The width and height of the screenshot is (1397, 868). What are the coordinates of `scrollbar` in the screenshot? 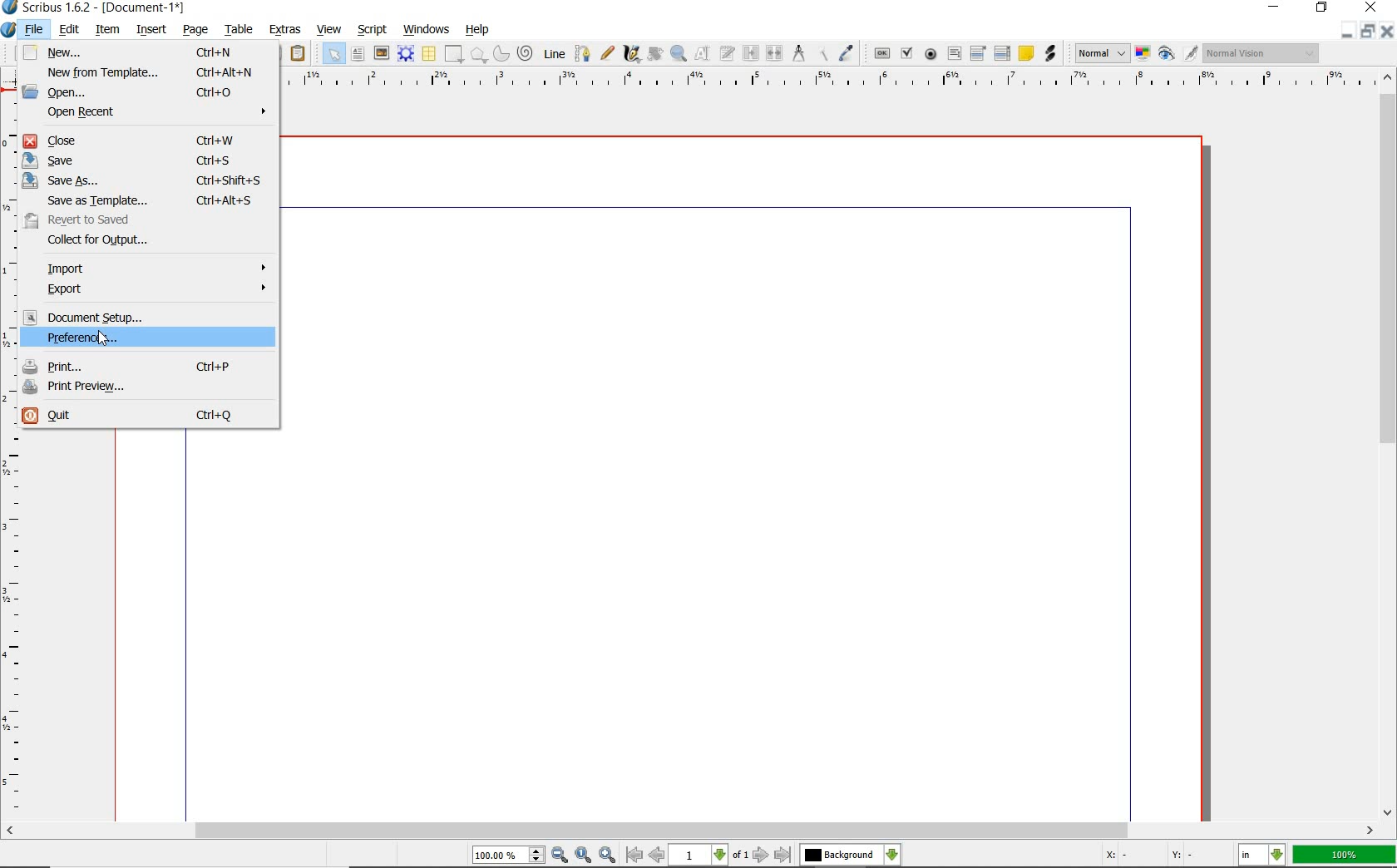 It's located at (689, 831).